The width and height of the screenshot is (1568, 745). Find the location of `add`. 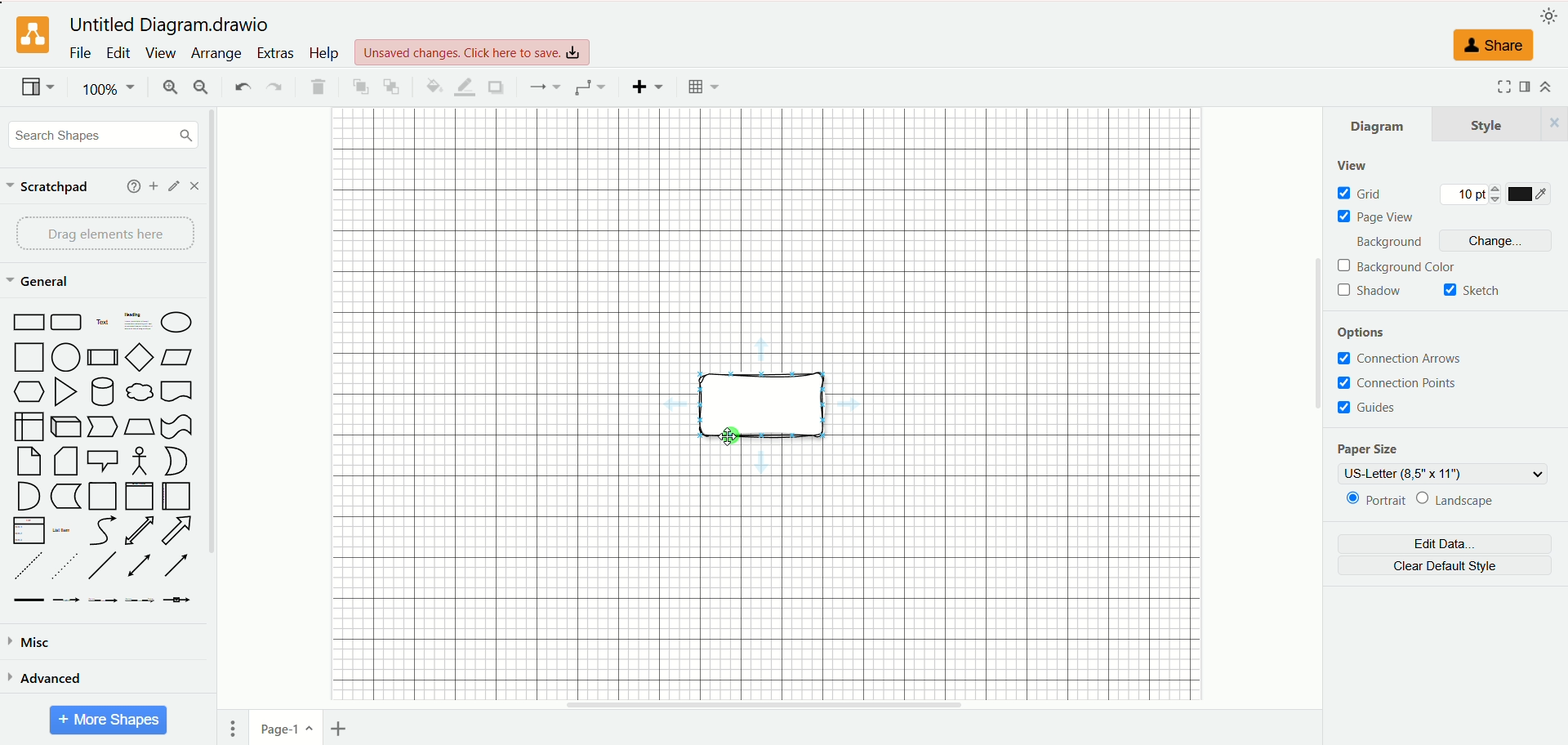

add is located at coordinates (154, 186).